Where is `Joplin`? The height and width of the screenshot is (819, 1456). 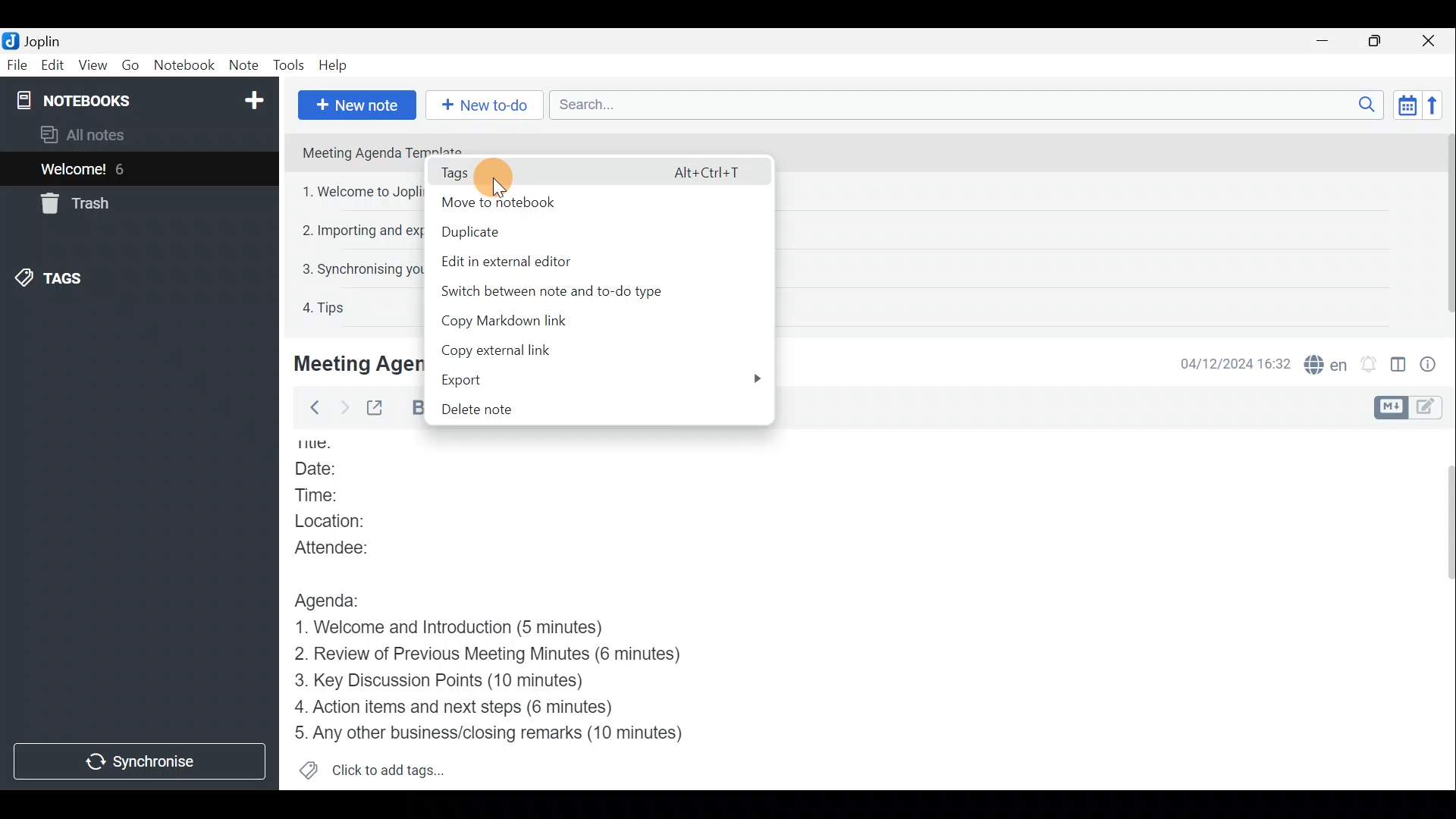 Joplin is located at coordinates (42, 40).